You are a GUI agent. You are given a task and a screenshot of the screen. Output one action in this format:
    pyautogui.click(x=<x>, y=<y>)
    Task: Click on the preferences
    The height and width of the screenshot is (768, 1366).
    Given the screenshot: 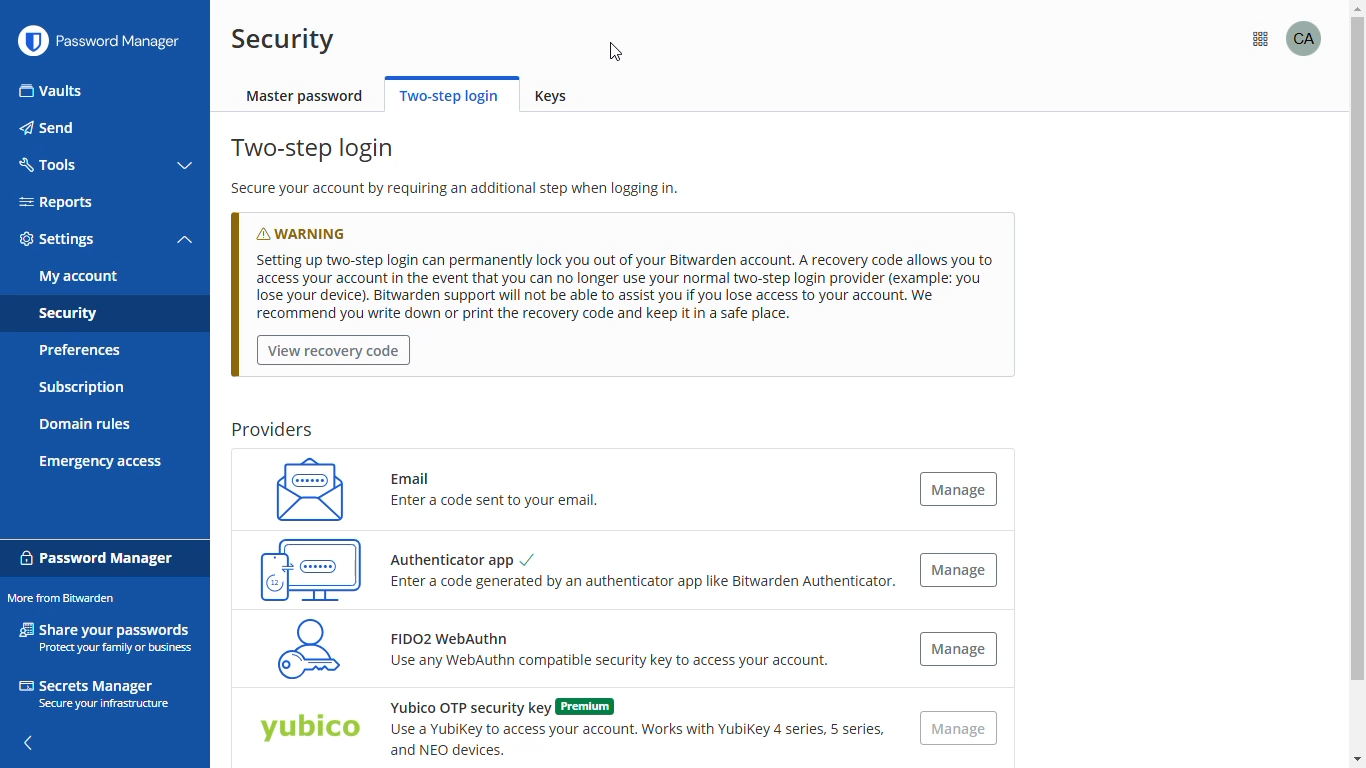 What is the action you would take?
    pyautogui.click(x=78, y=350)
    